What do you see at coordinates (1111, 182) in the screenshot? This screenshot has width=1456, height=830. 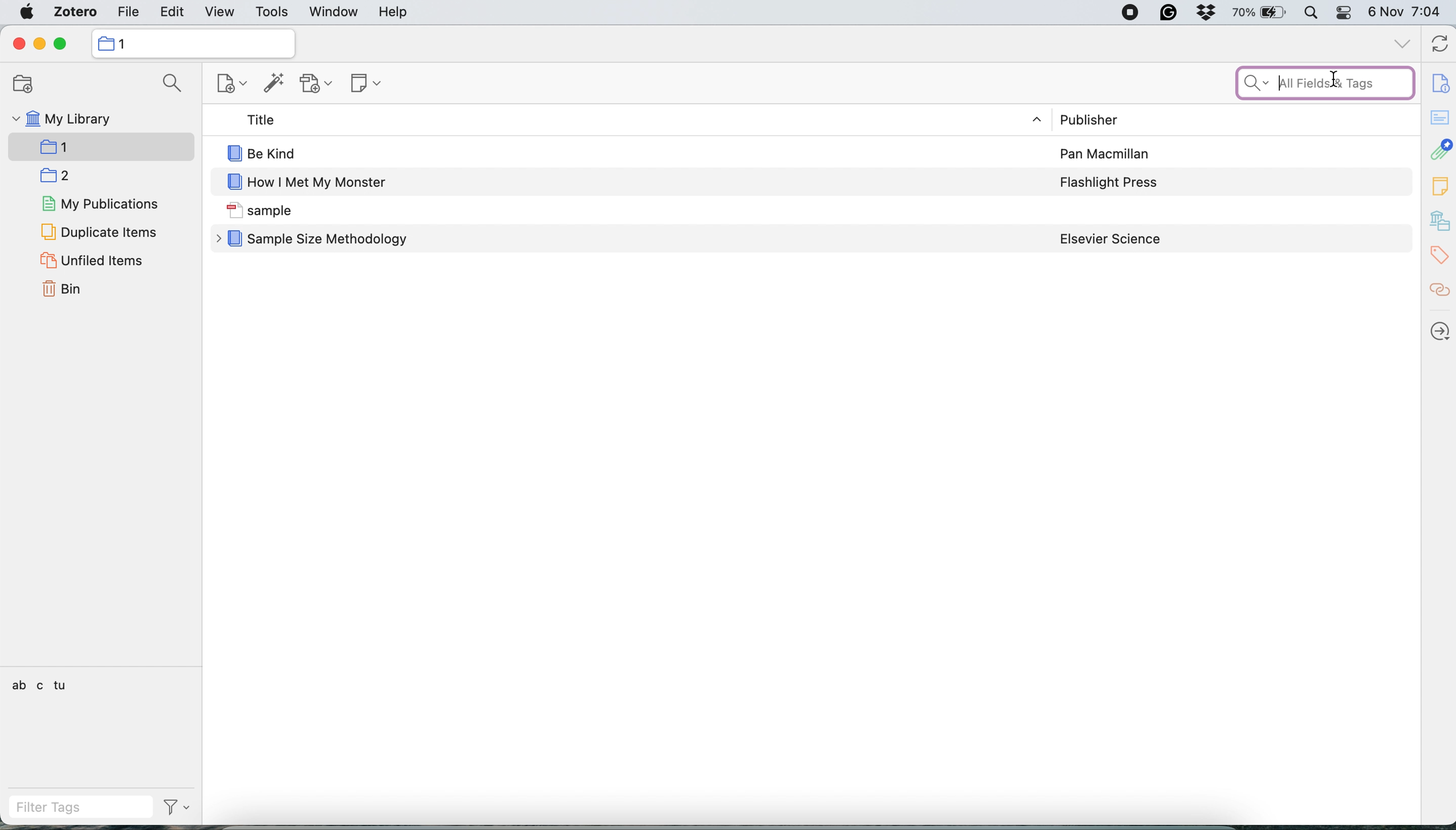 I see `Flashlight Press` at bounding box center [1111, 182].